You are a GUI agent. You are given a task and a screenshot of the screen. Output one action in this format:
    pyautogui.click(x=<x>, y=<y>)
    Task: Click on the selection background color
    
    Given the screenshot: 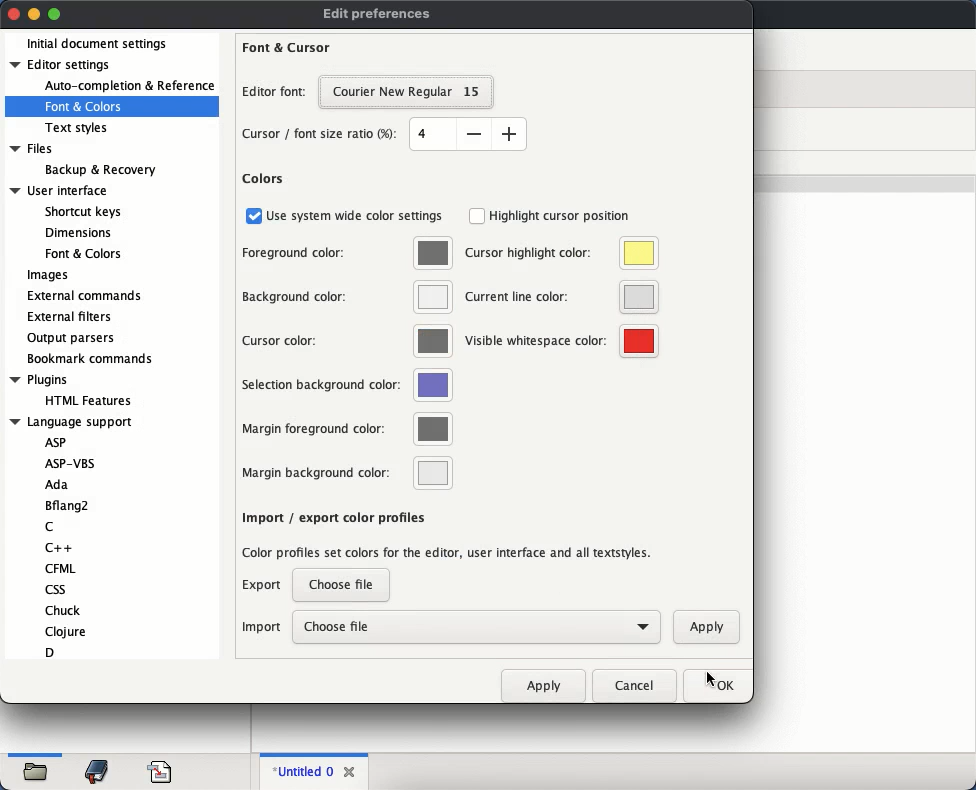 What is the action you would take?
    pyautogui.click(x=345, y=385)
    